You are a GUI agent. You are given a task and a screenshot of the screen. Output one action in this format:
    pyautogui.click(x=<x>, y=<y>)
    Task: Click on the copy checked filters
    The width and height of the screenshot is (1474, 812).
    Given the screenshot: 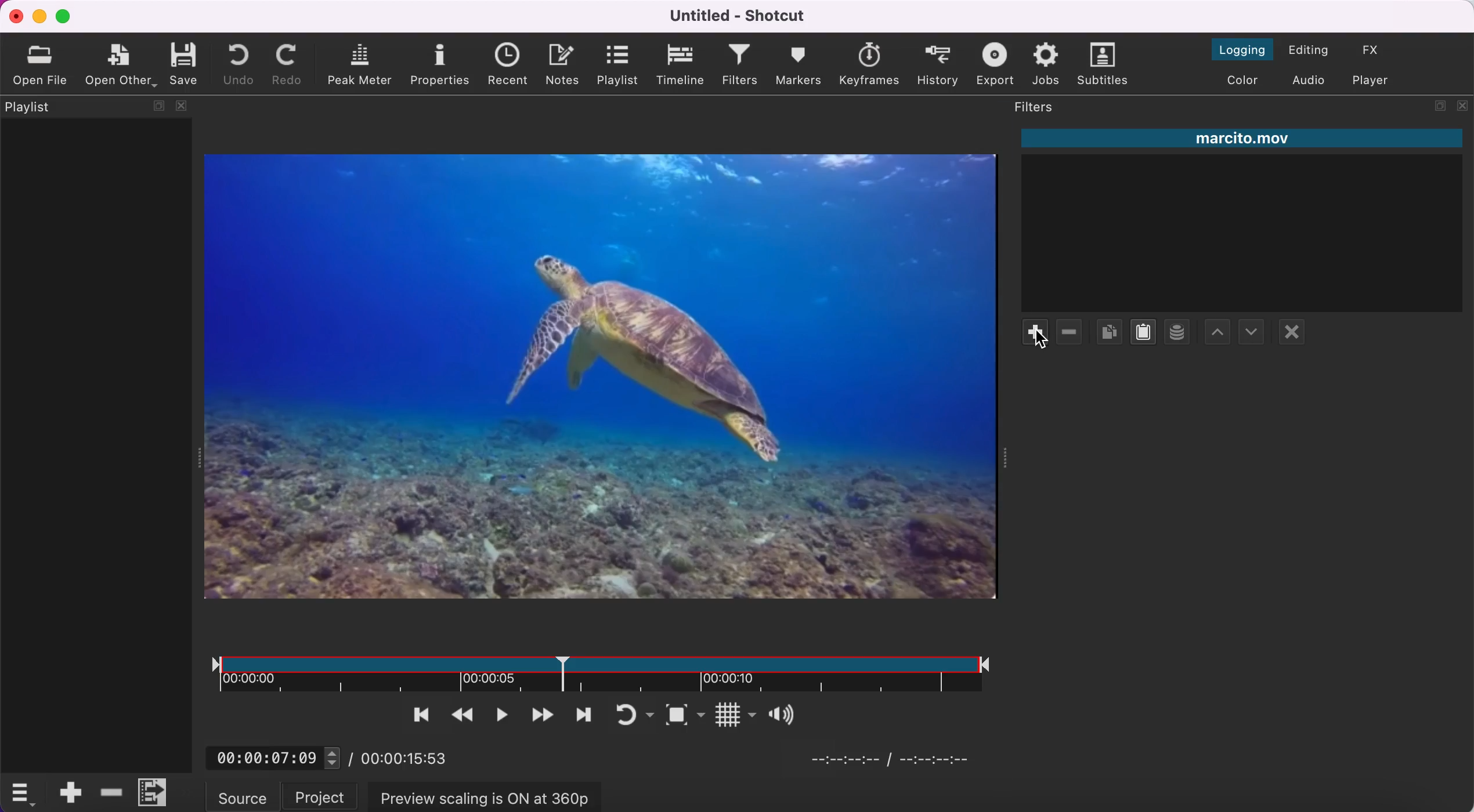 What is the action you would take?
    pyautogui.click(x=1108, y=334)
    